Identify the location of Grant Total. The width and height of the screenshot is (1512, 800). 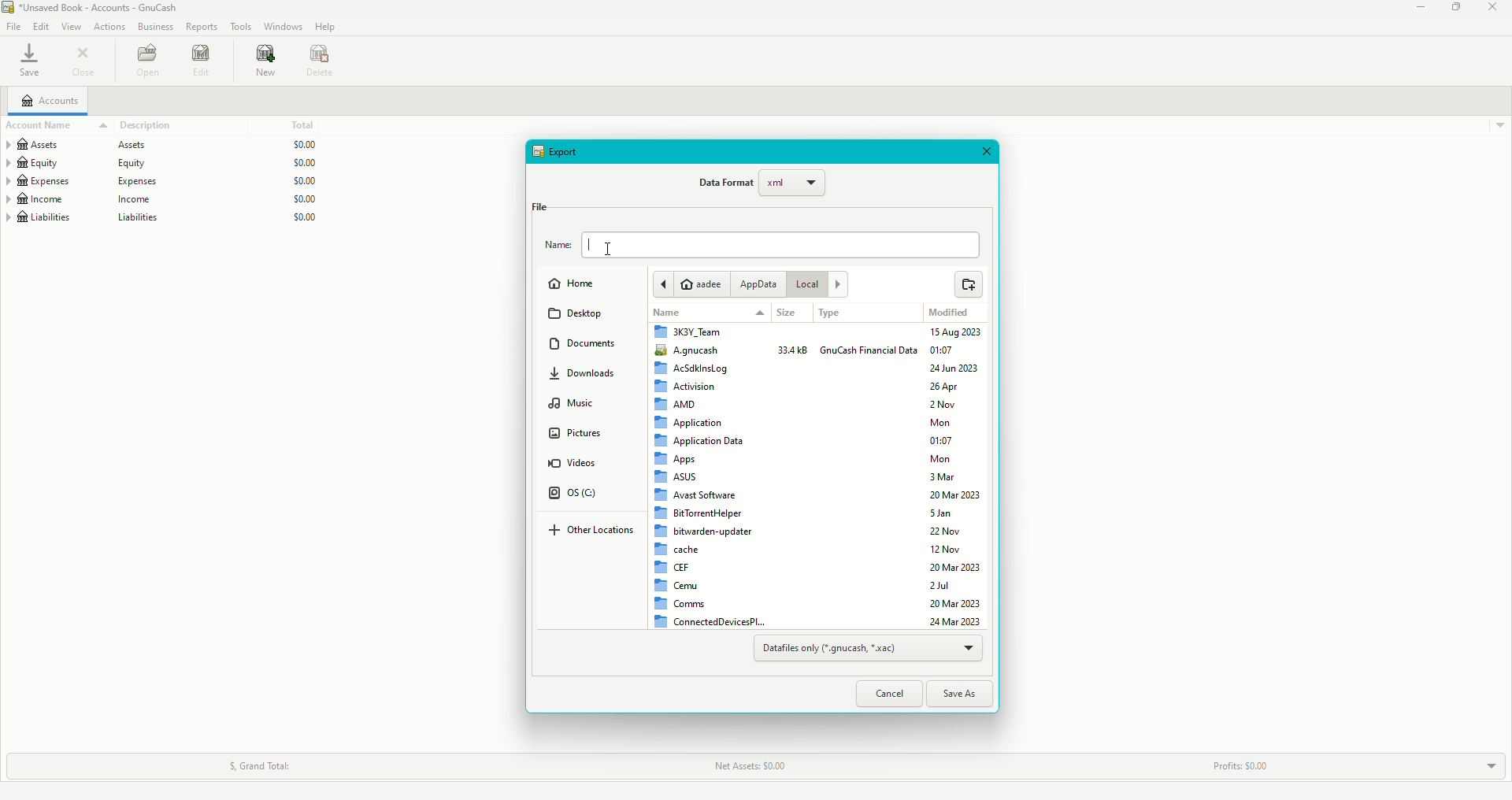
(270, 761).